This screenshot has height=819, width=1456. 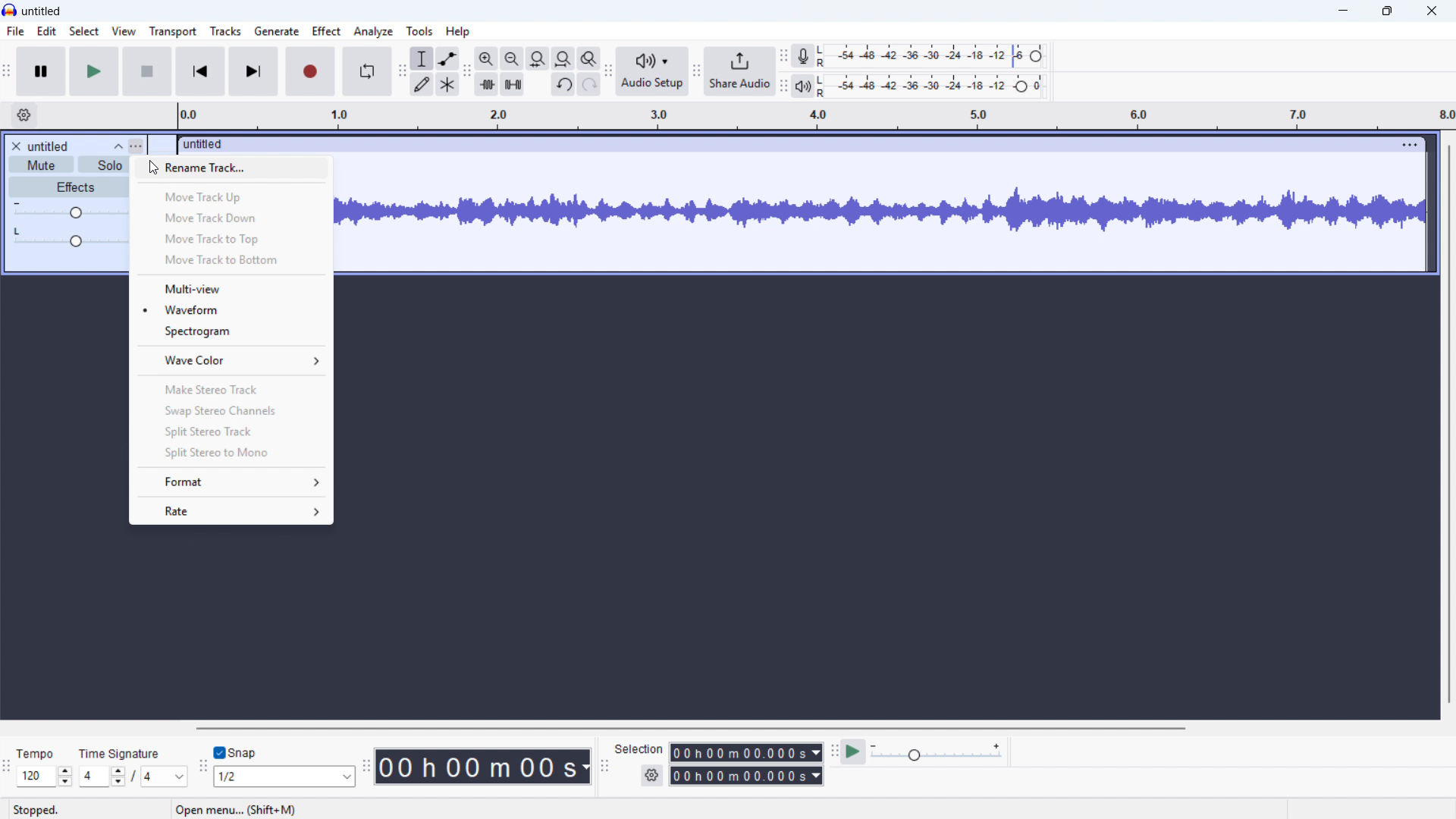 What do you see at coordinates (231, 360) in the screenshot?
I see `Wave colour ` at bounding box center [231, 360].